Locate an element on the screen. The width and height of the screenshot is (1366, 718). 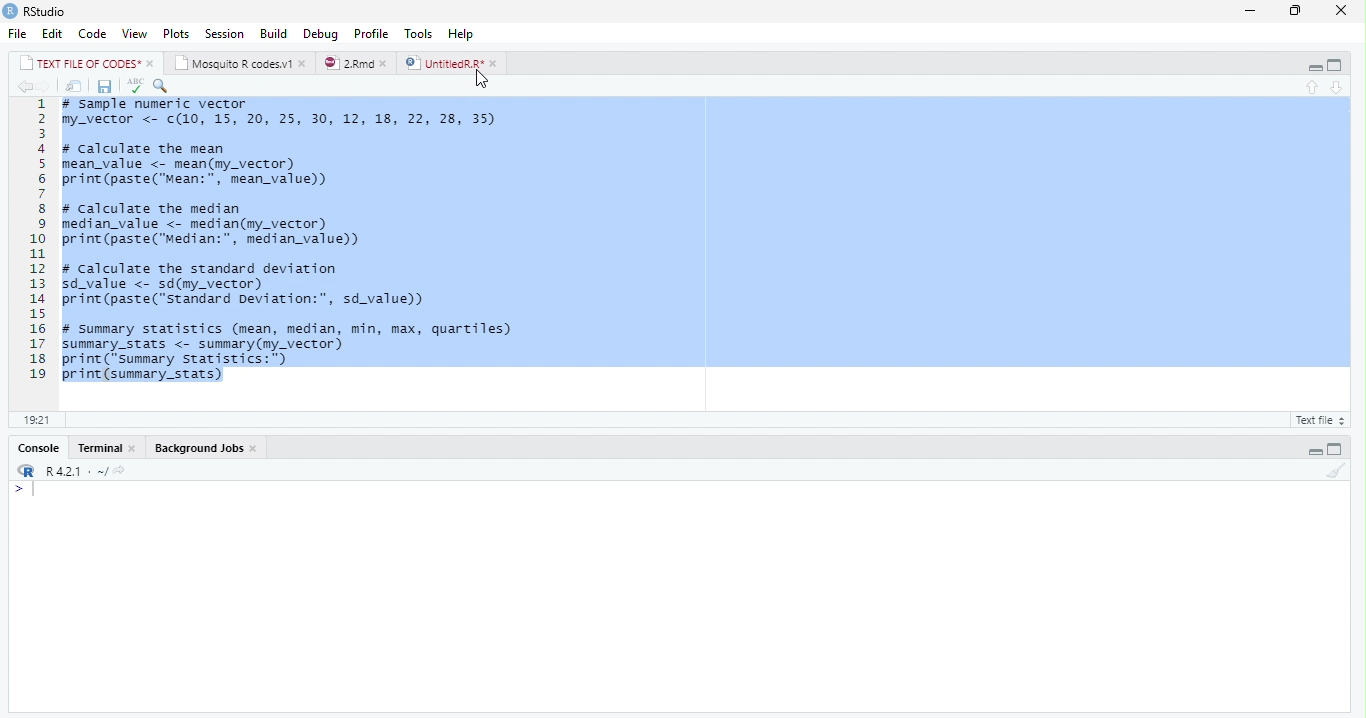
close is located at coordinates (152, 64).